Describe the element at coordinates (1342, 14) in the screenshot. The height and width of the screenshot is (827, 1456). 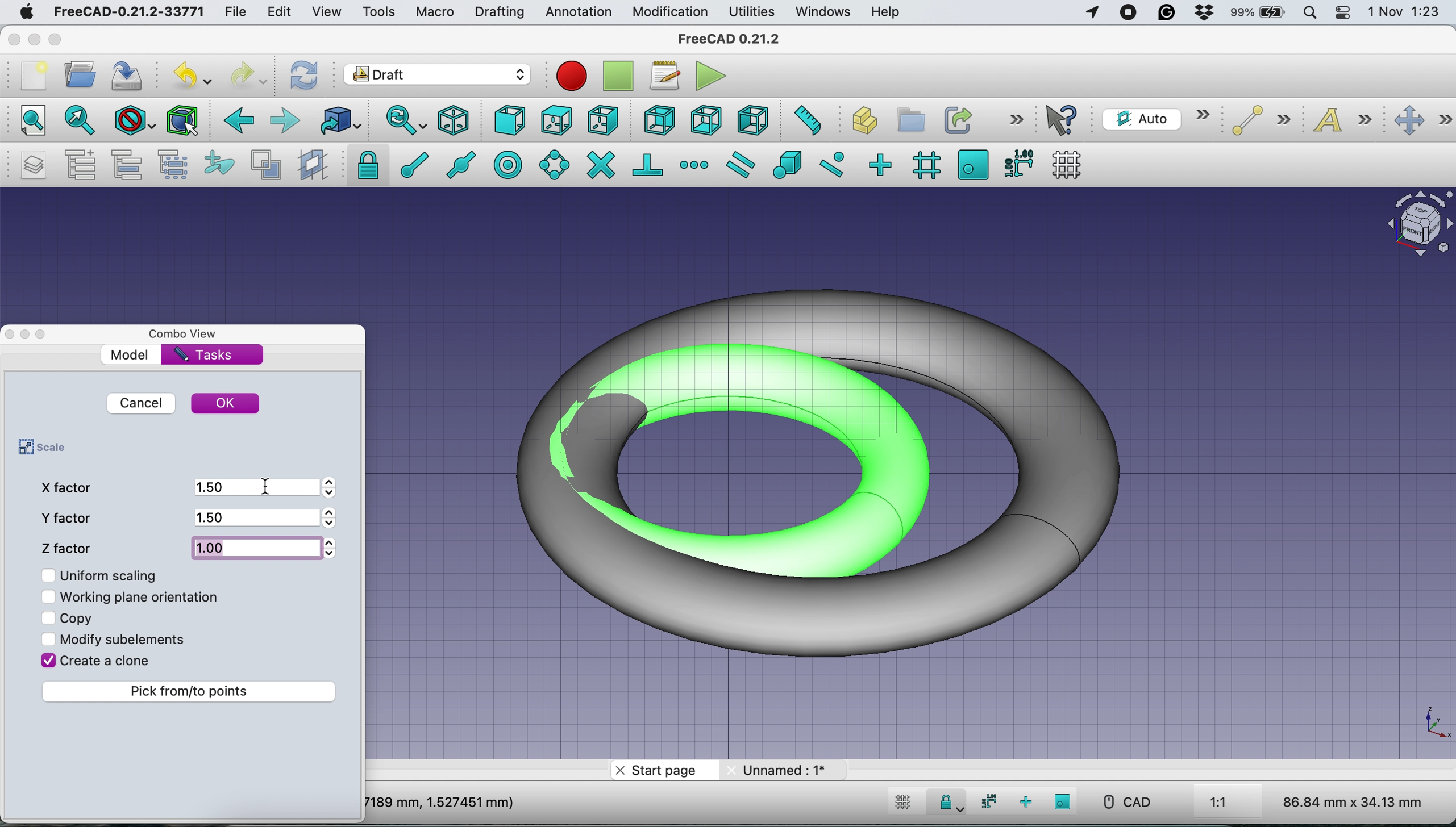
I see `control center` at that location.